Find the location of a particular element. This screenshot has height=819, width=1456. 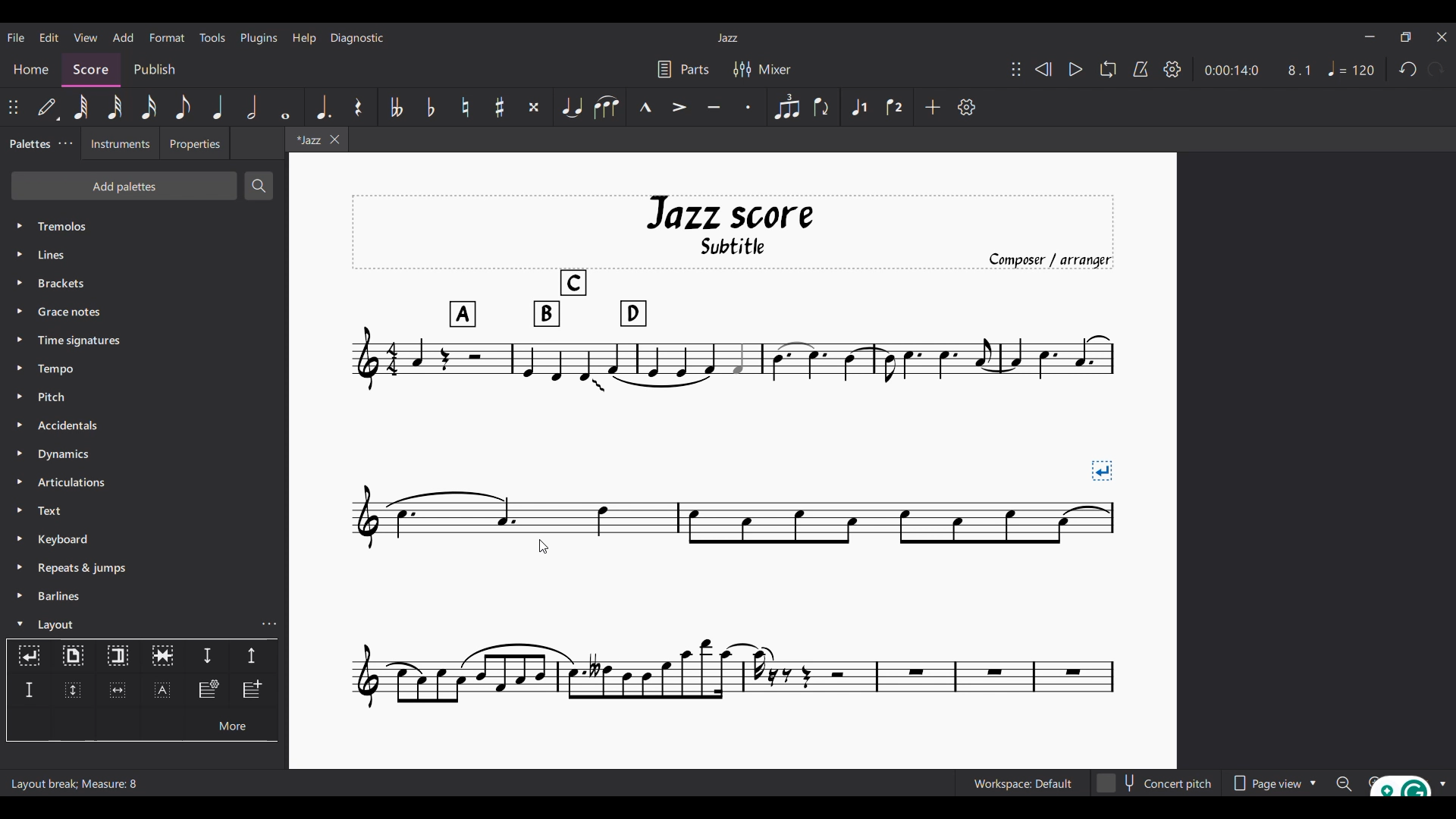

16th note is located at coordinates (148, 107).